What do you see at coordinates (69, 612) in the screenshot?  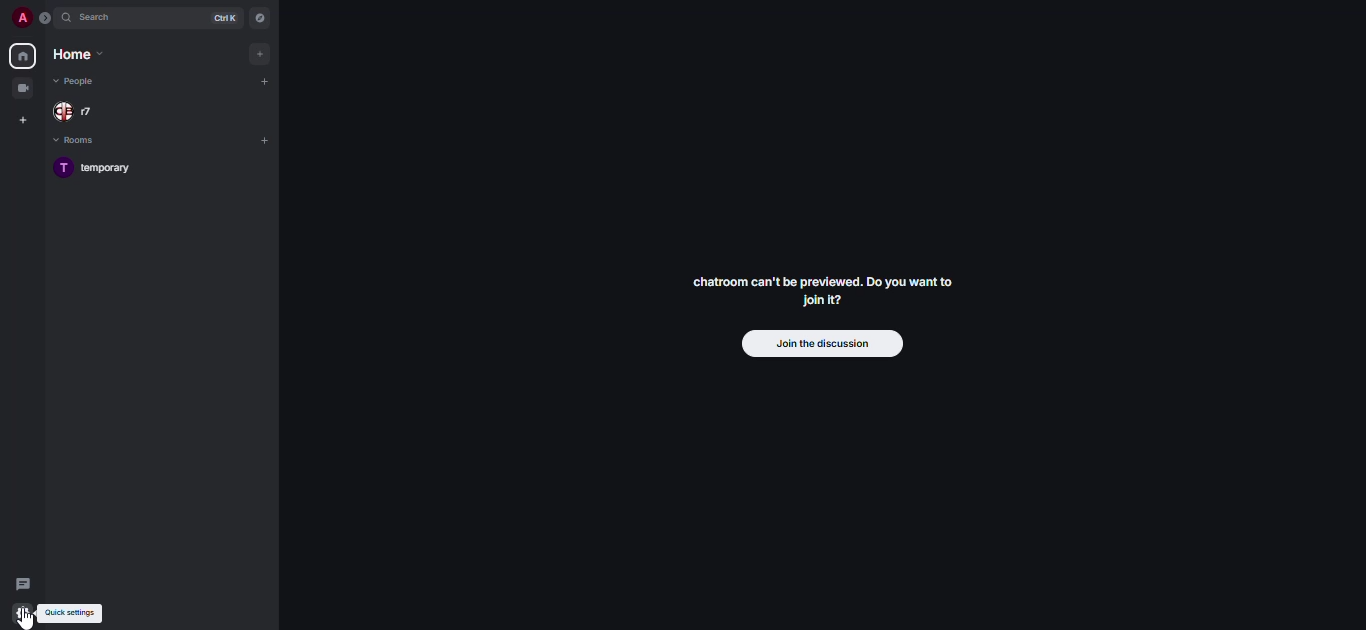 I see `quick settings` at bounding box center [69, 612].